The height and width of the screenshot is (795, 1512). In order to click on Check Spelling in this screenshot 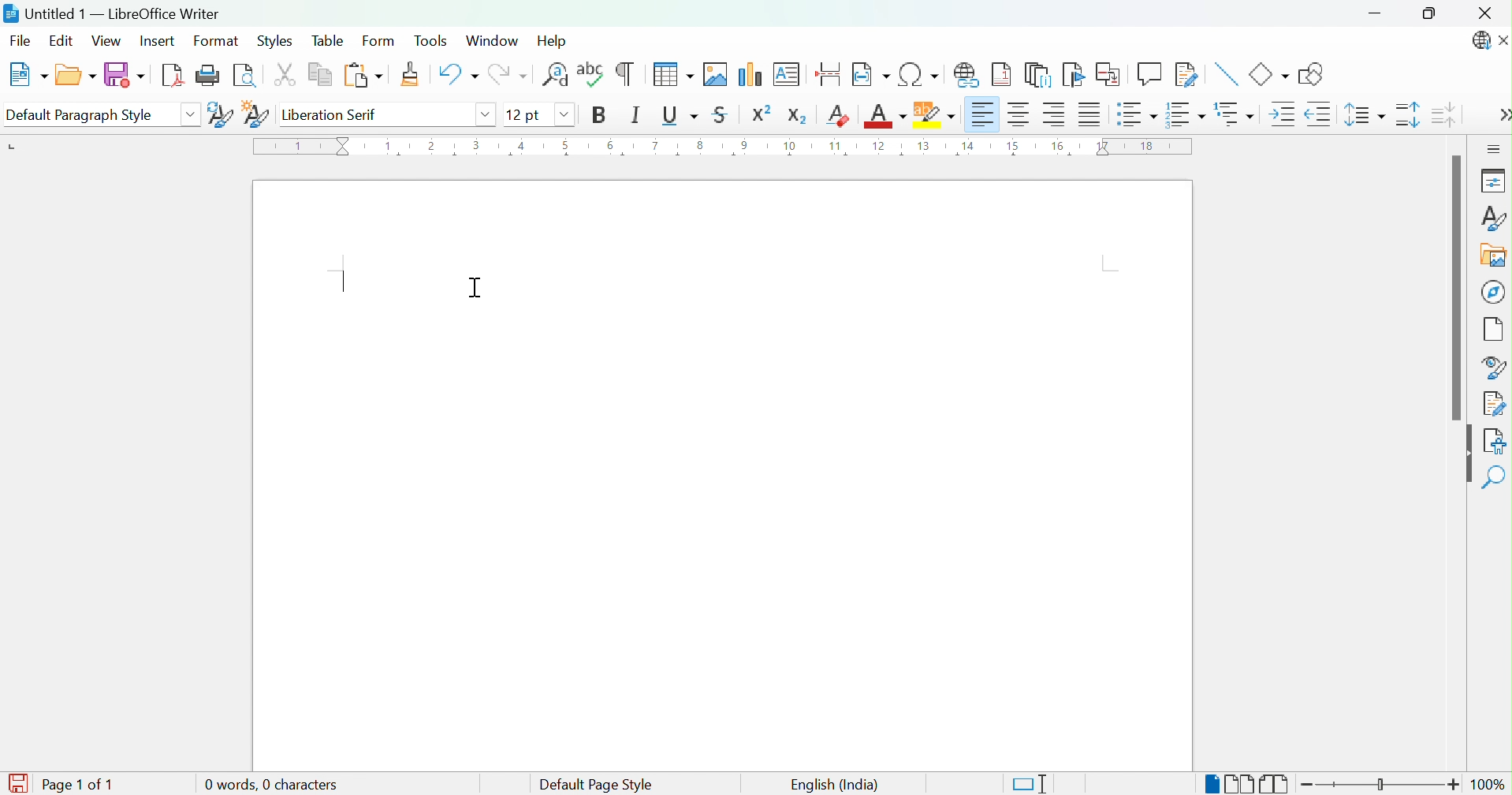, I will do `click(591, 73)`.